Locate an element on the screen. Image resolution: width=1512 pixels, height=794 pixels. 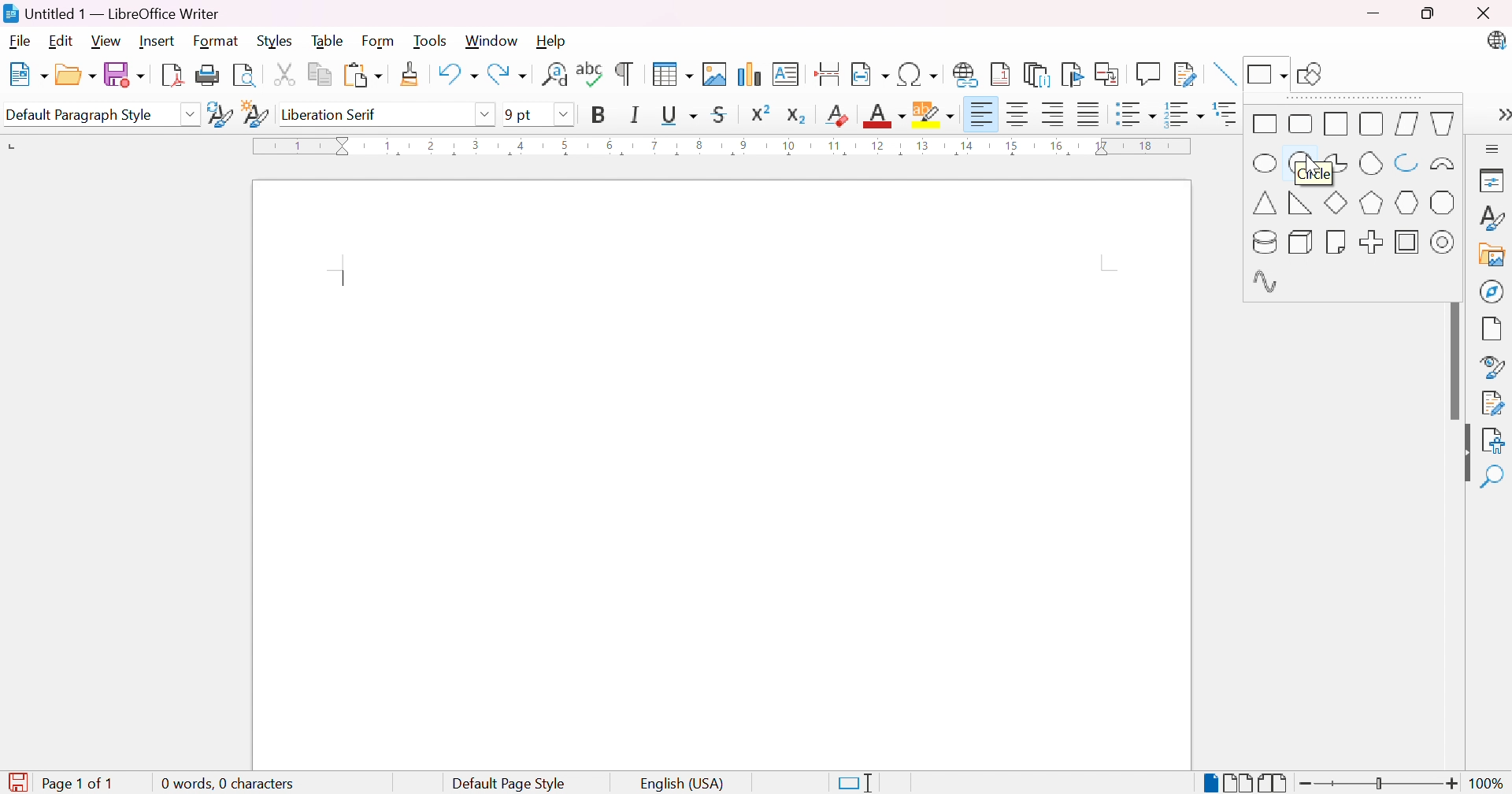
Octagon is located at coordinates (1444, 203).